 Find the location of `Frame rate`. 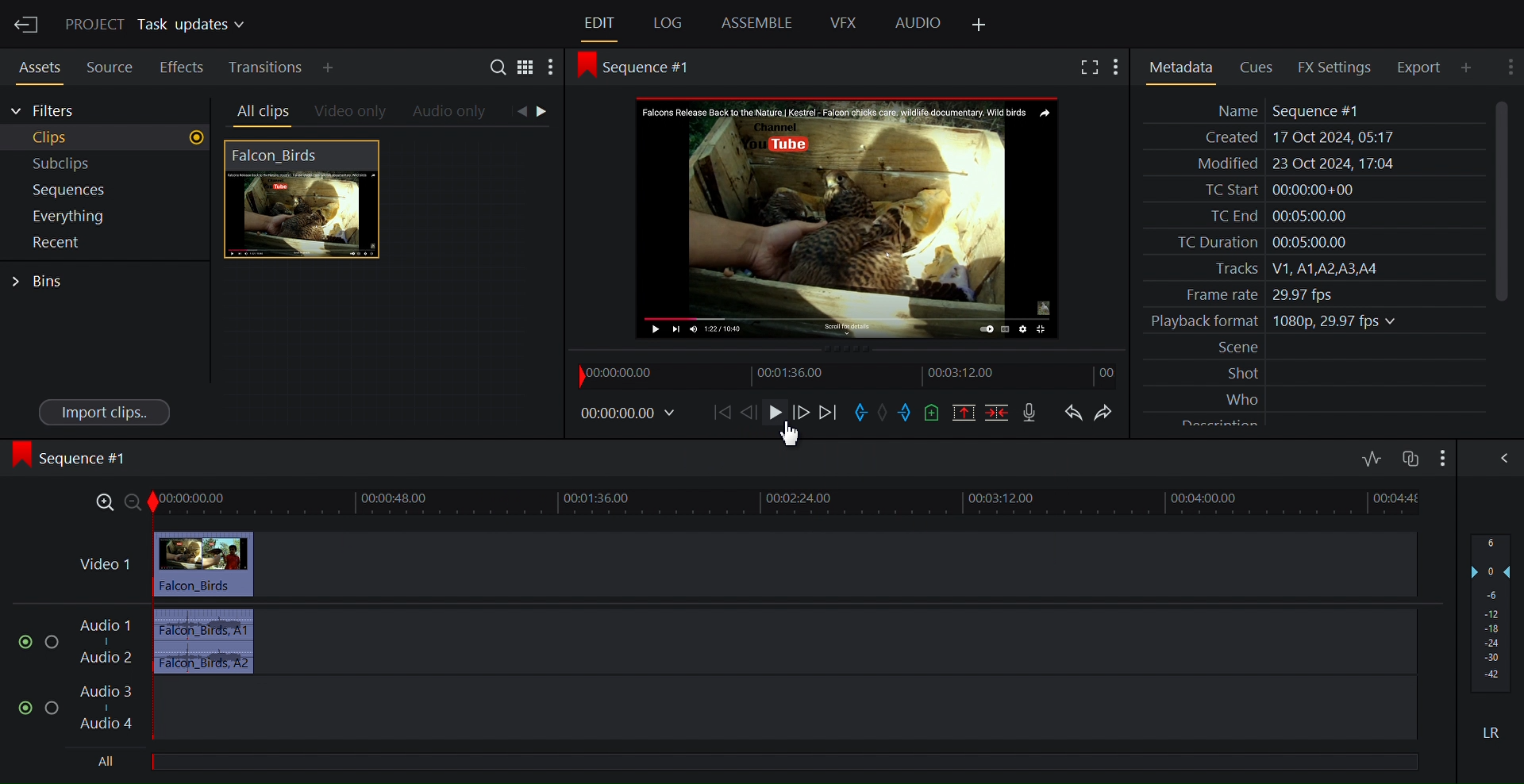

Frame rate is located at coordinates (1307, 292).